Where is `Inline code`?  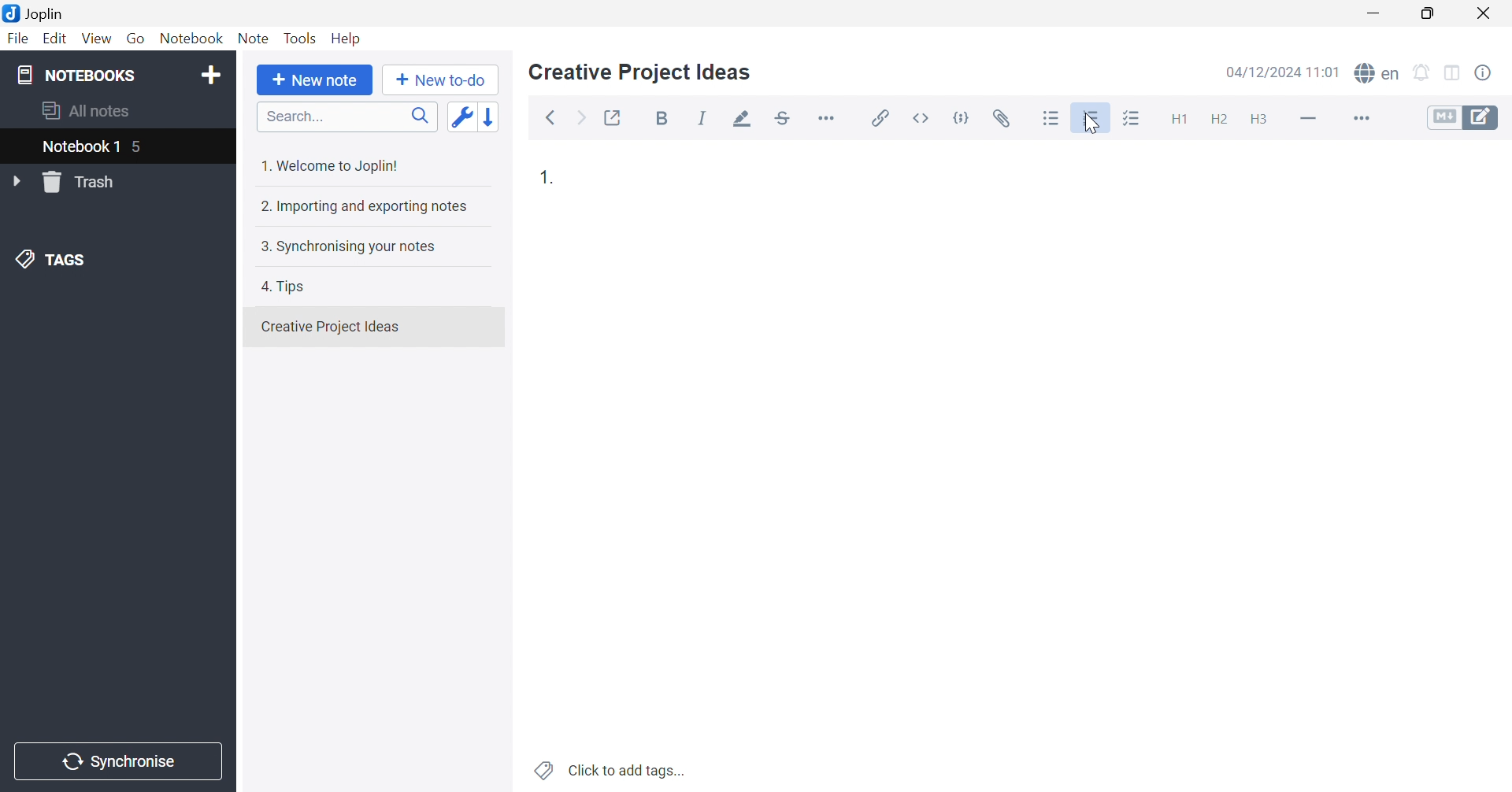 Inline code is located at coordinates (919, 117).